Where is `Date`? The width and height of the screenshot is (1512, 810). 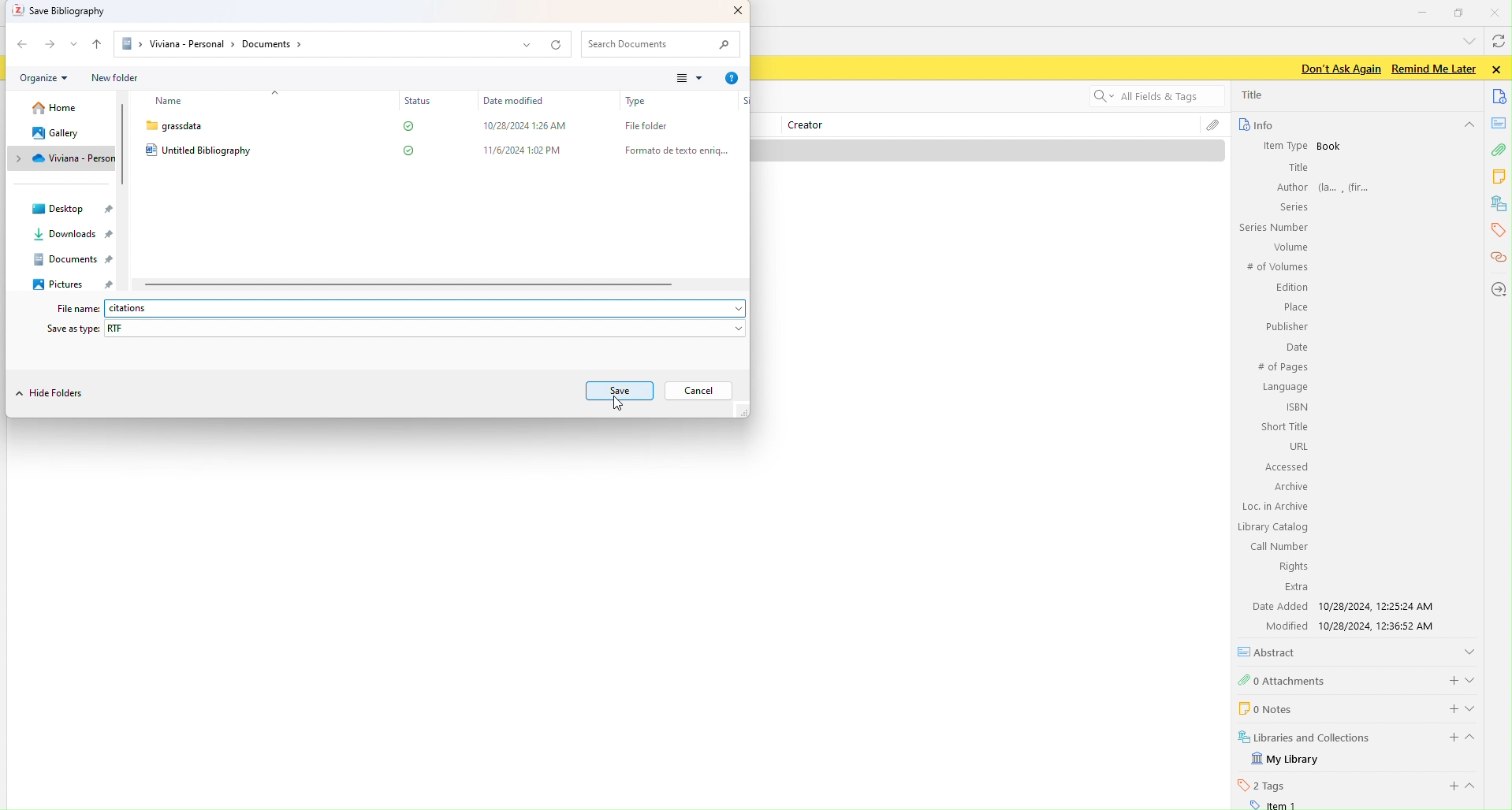 Date is located at coordinates (1295, 348).